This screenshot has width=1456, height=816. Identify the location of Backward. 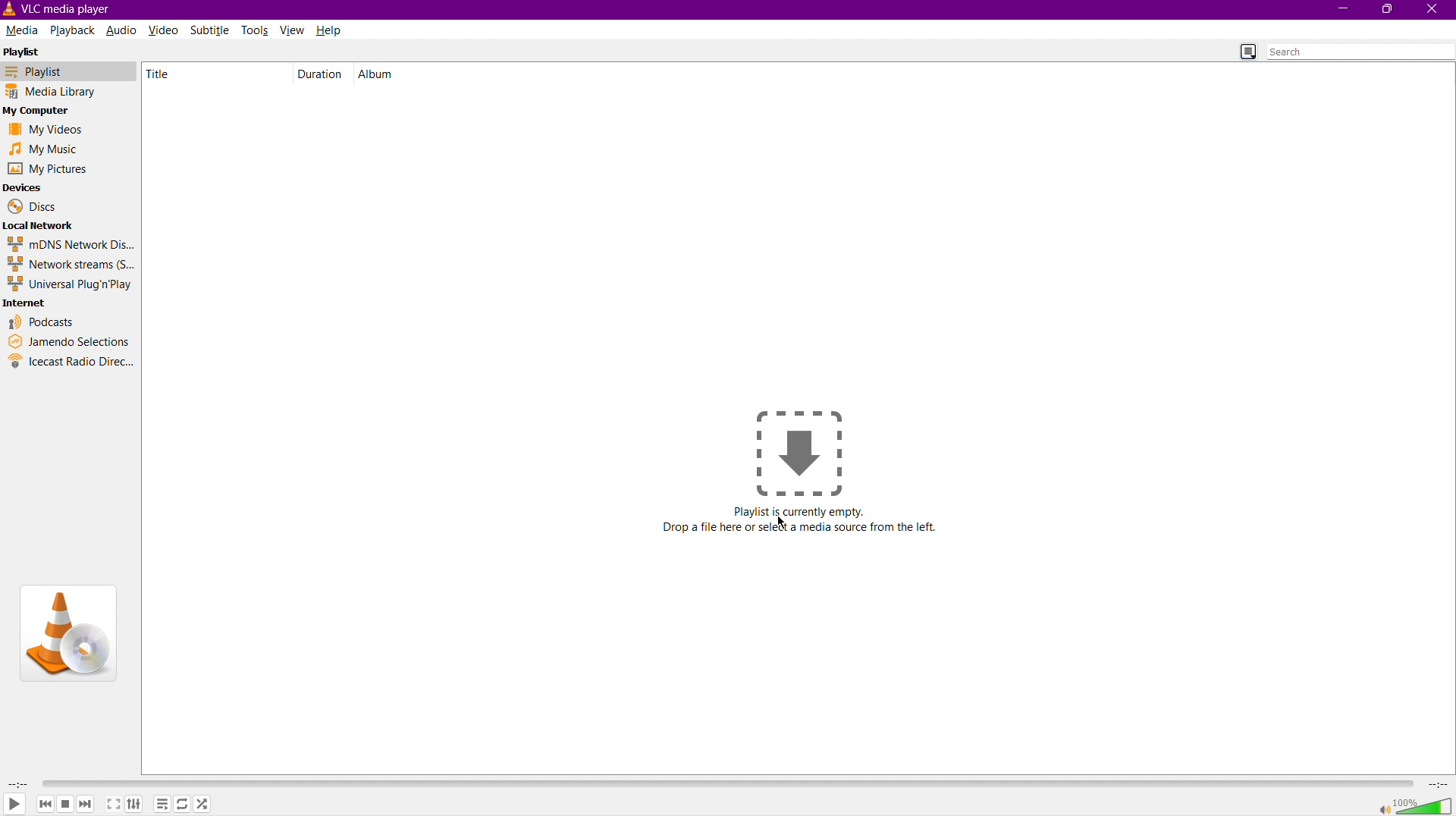
(44, 802).